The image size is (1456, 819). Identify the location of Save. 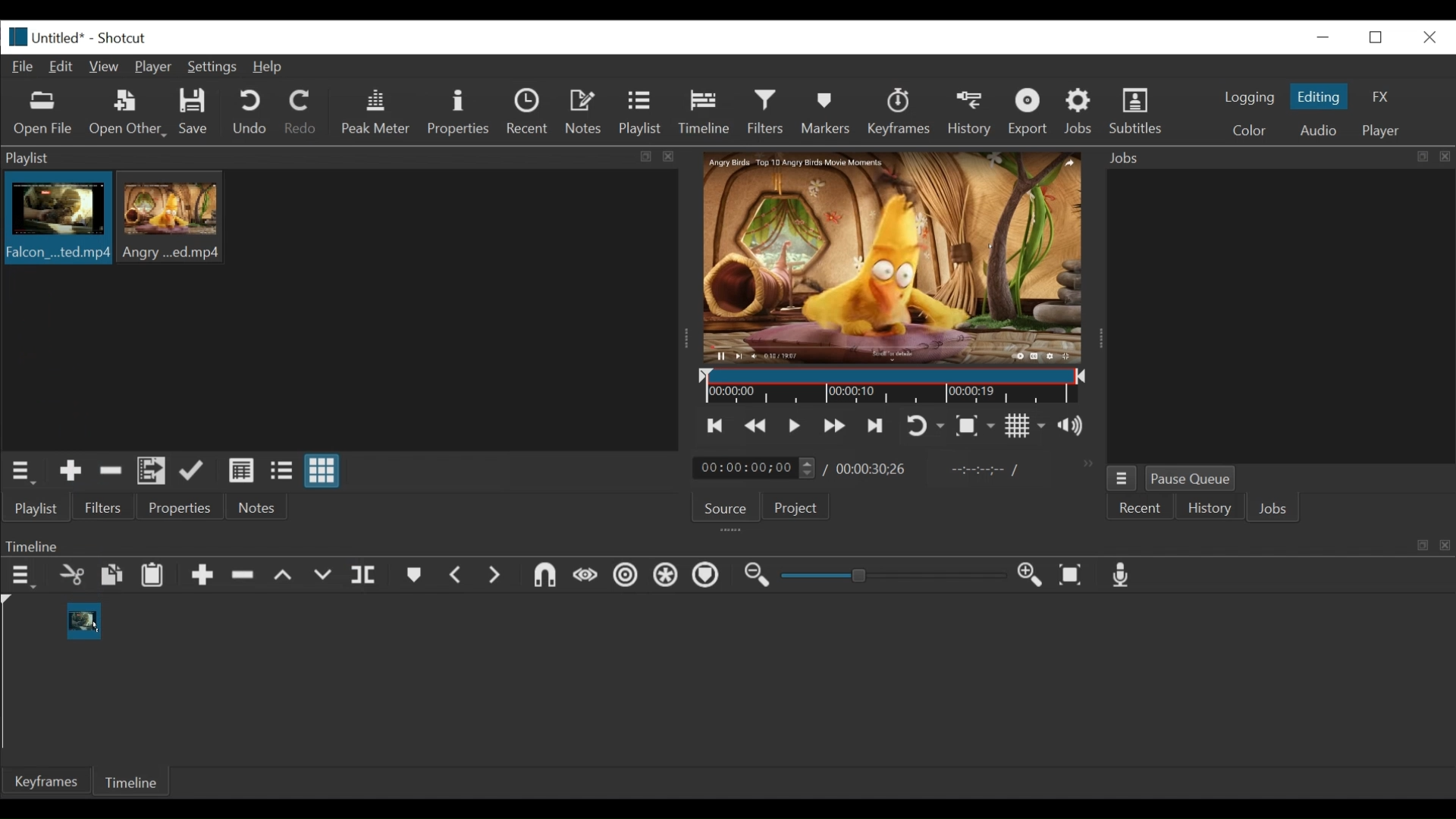
(194, 114).